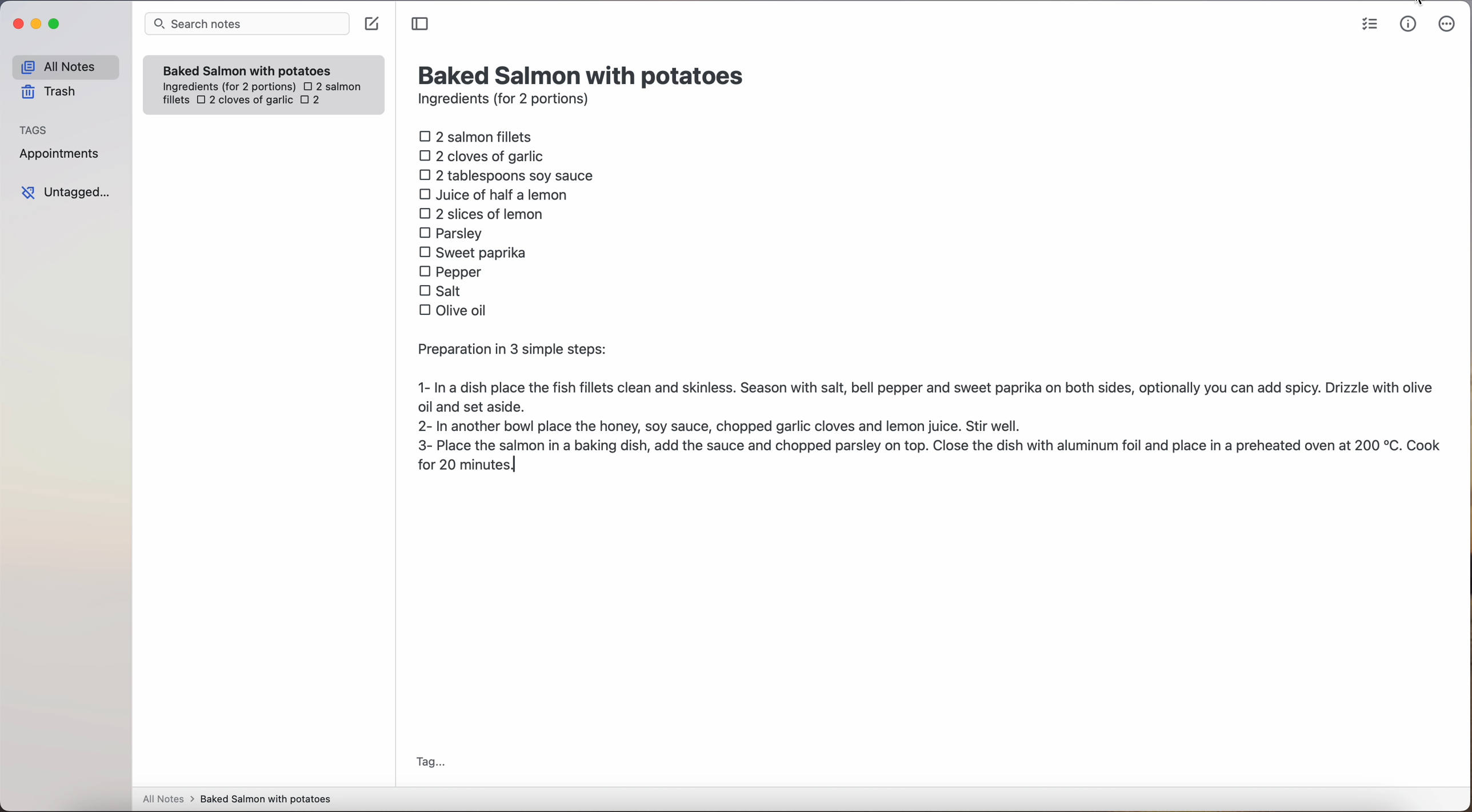 Image resolution: width=1472 pixels, height=812 pixels. Describe the element at coordinates (65, 66) in the screenshot. I see `all notes` at that location.